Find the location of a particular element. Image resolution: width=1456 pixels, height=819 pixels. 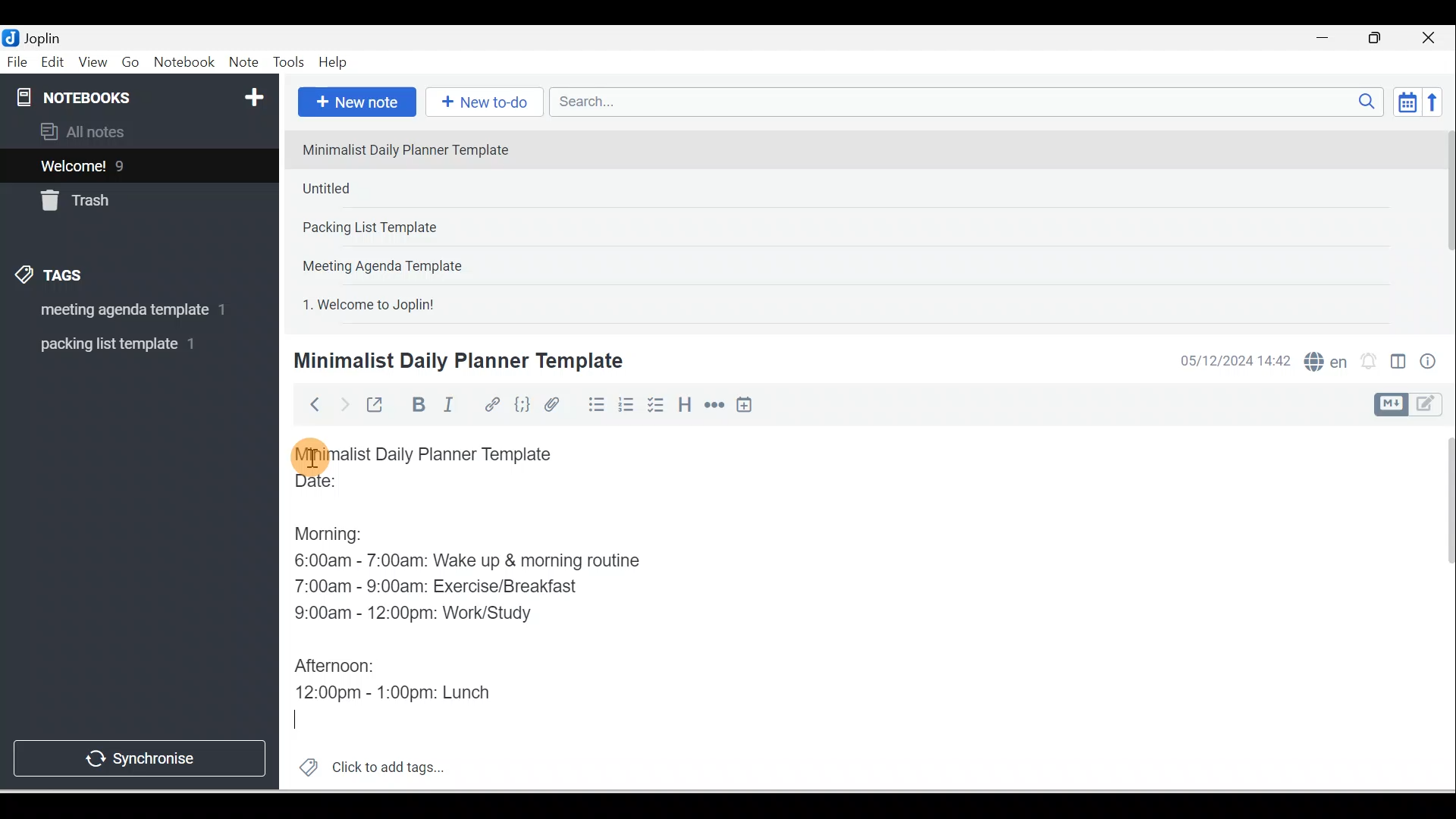

7:00am - 9:00am: Exercise/Breakfast is located at coordinates (439, 585).